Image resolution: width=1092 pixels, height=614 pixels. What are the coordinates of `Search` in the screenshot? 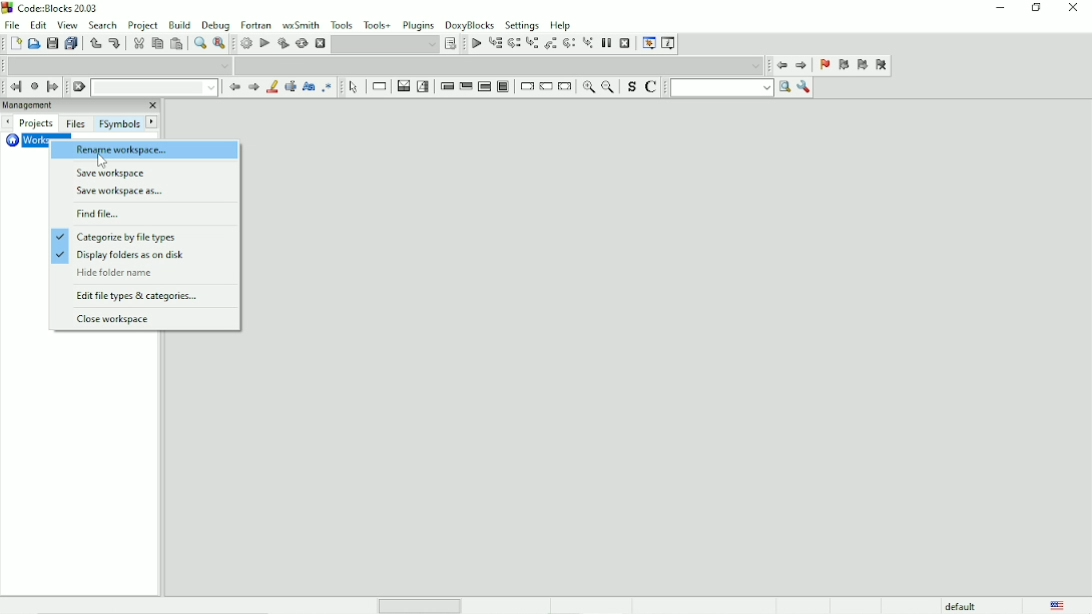 It's located at (104, 25).